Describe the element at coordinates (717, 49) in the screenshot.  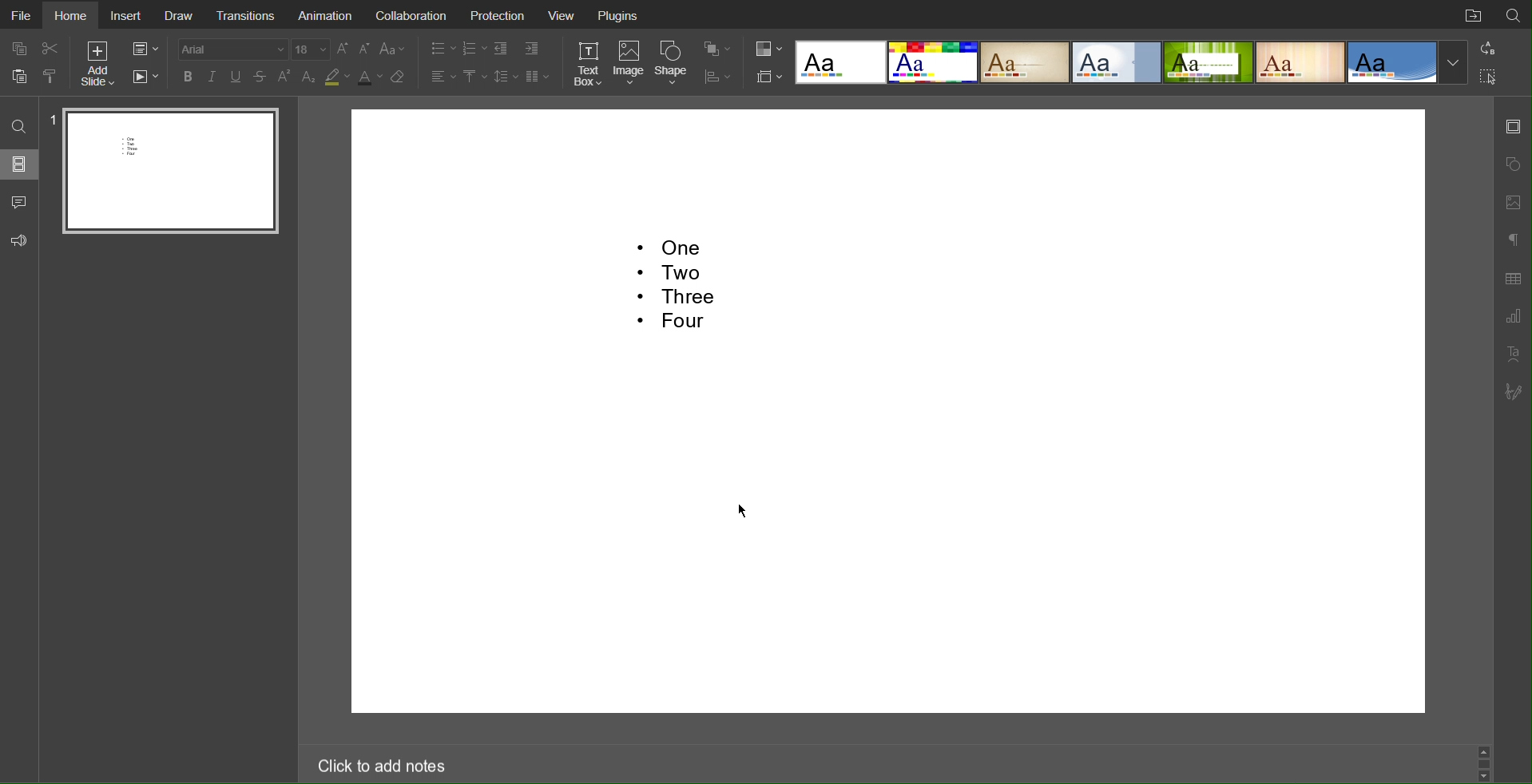
I see `Arrange` at that location.